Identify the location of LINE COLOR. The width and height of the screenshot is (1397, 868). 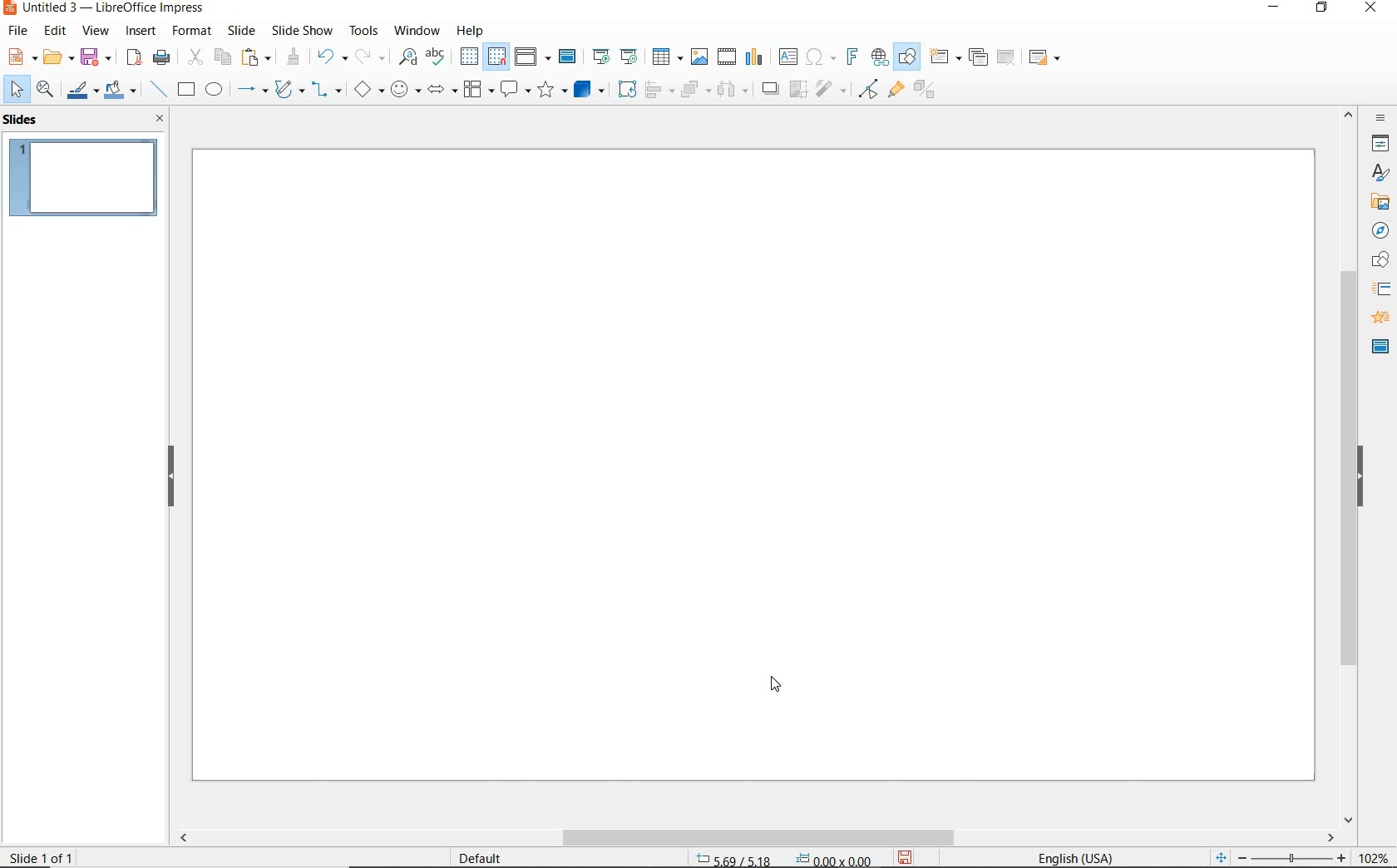
(80, 91).